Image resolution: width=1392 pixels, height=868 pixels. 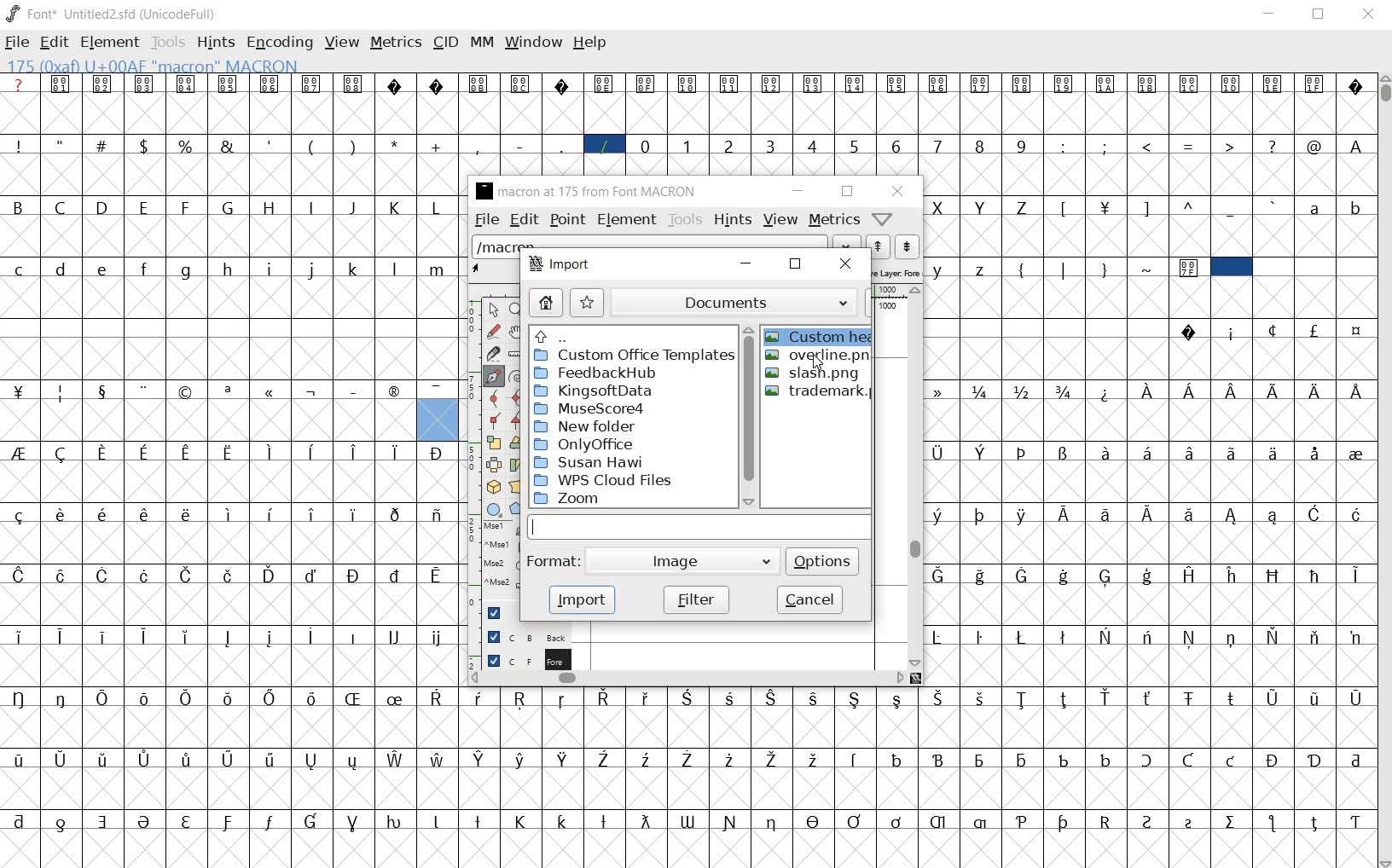 I want to click on Symbol, so click(x=272, y=514).